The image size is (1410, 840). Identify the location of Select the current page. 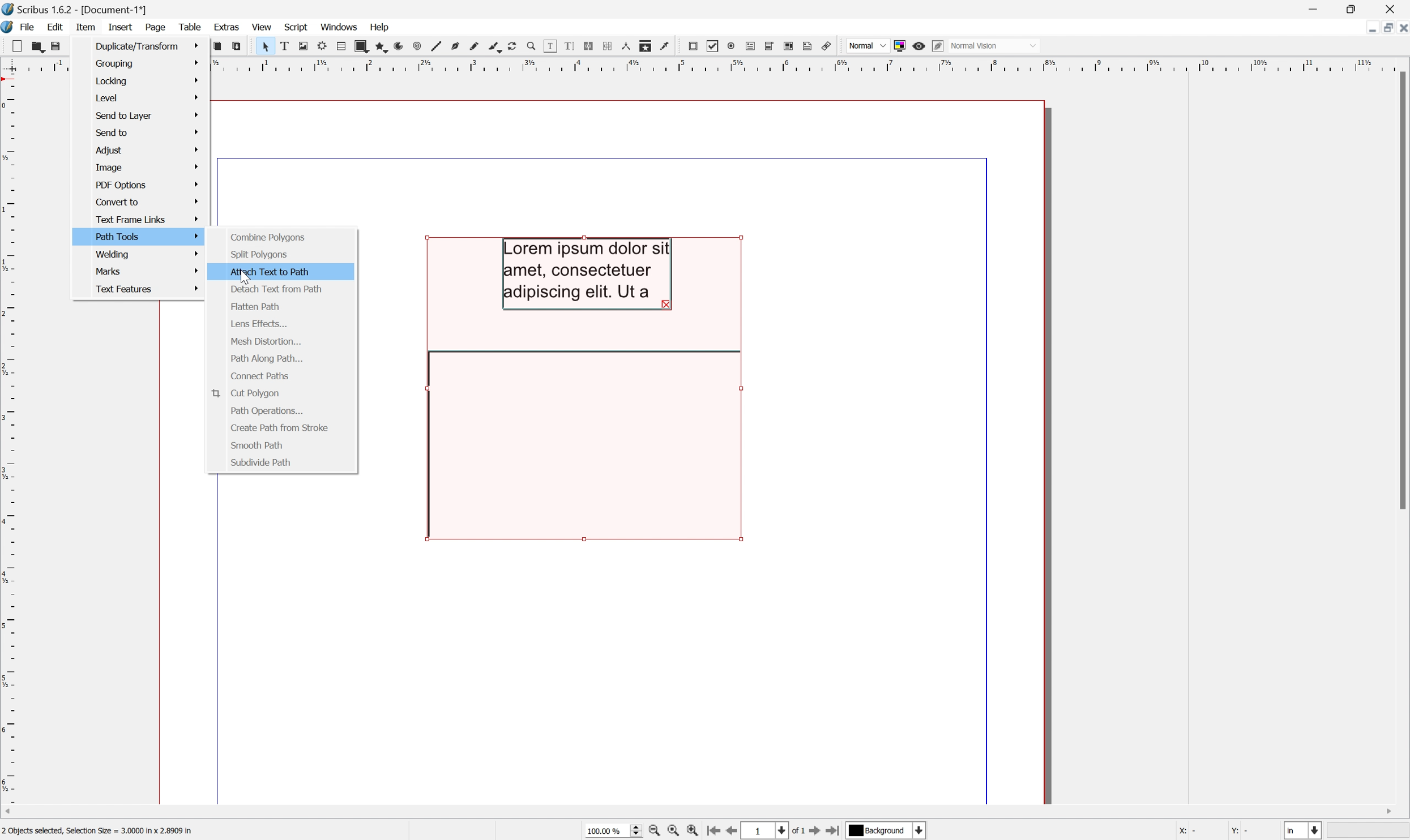
(768, 830).